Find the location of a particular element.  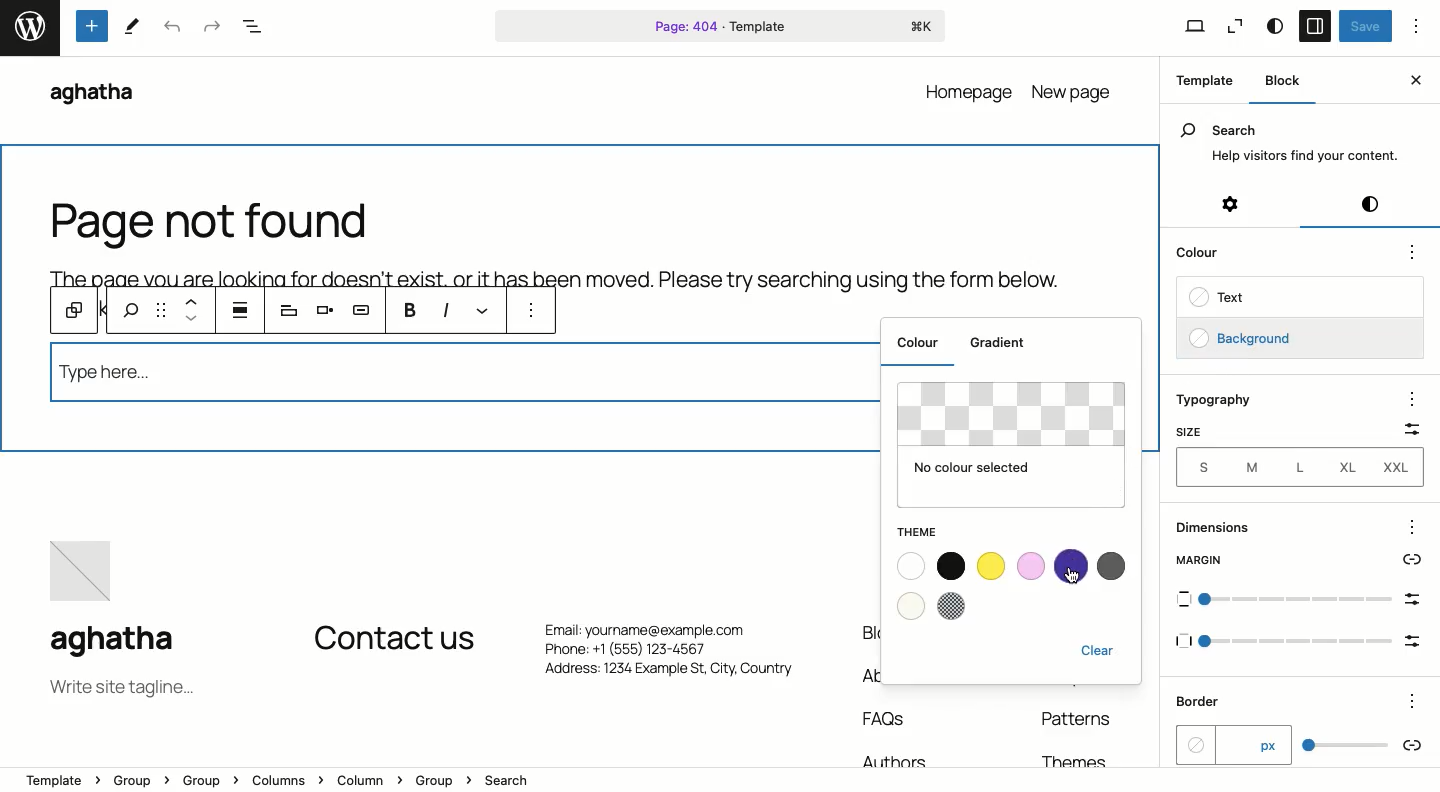

M is located at coordinates (1248, 466).